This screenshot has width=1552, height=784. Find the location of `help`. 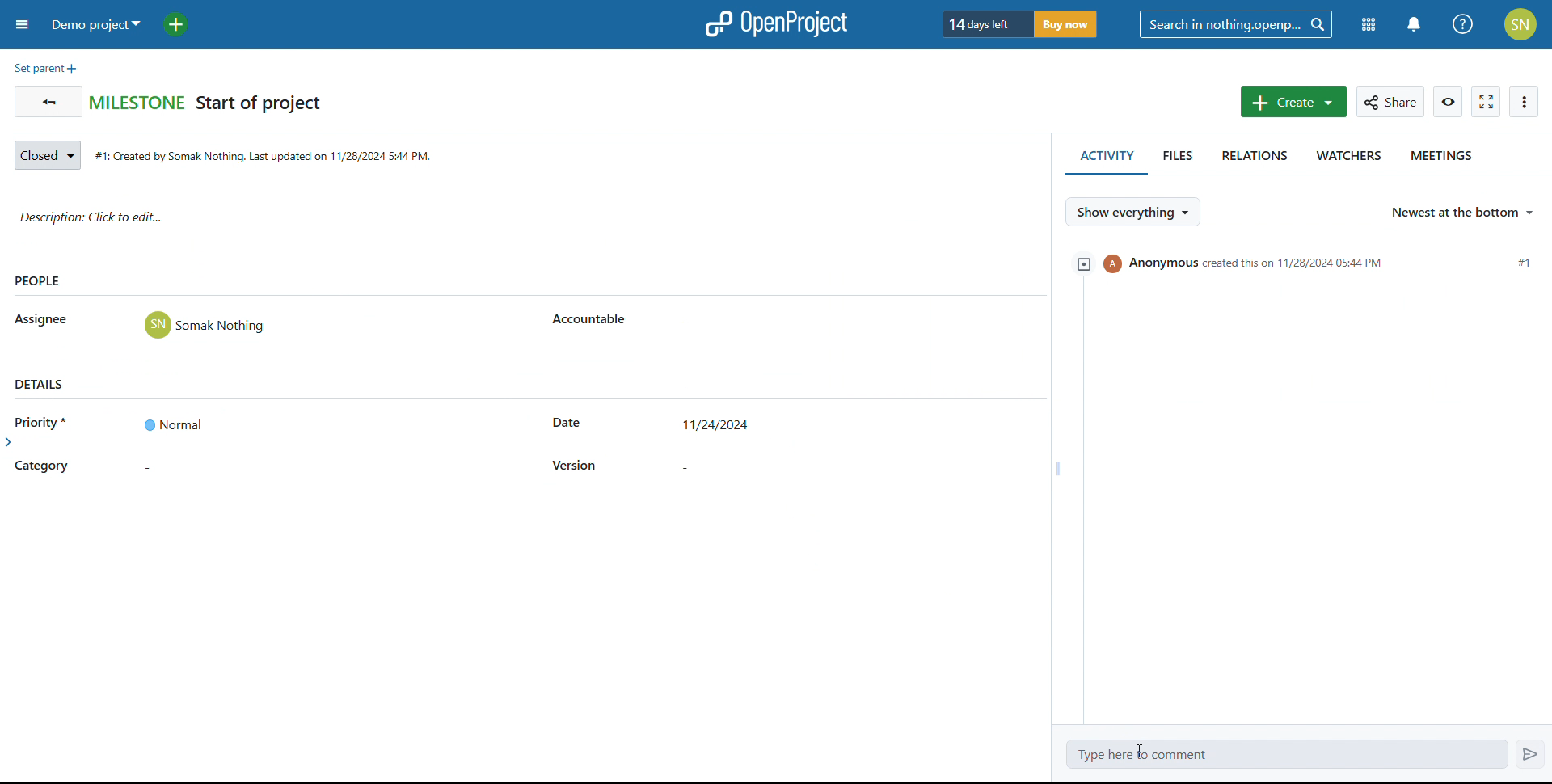

help is located at coordinates (1462, 24).